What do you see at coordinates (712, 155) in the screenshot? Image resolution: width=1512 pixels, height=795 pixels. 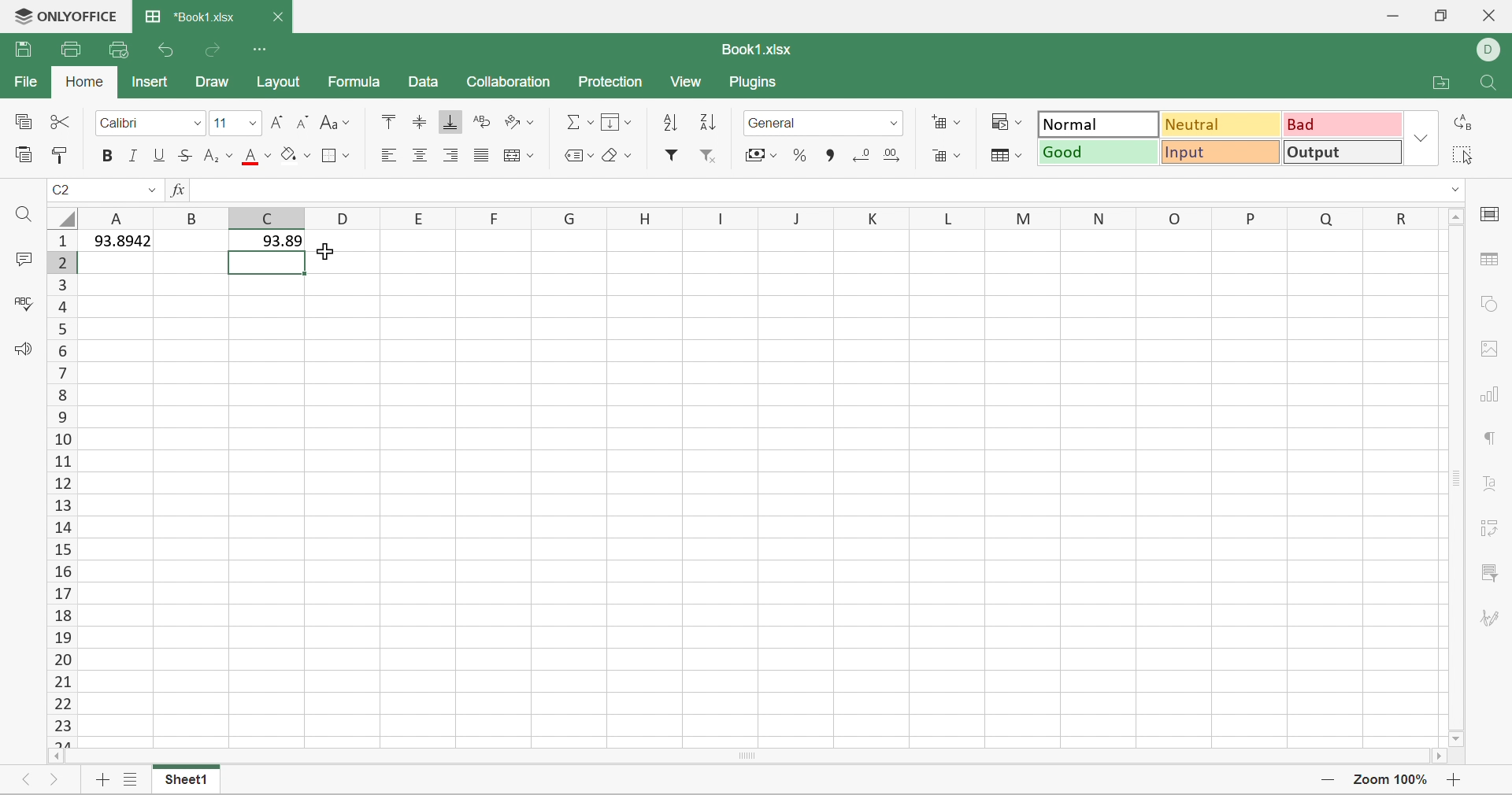 I see `Remove filter` at bounding box center [712, 155].